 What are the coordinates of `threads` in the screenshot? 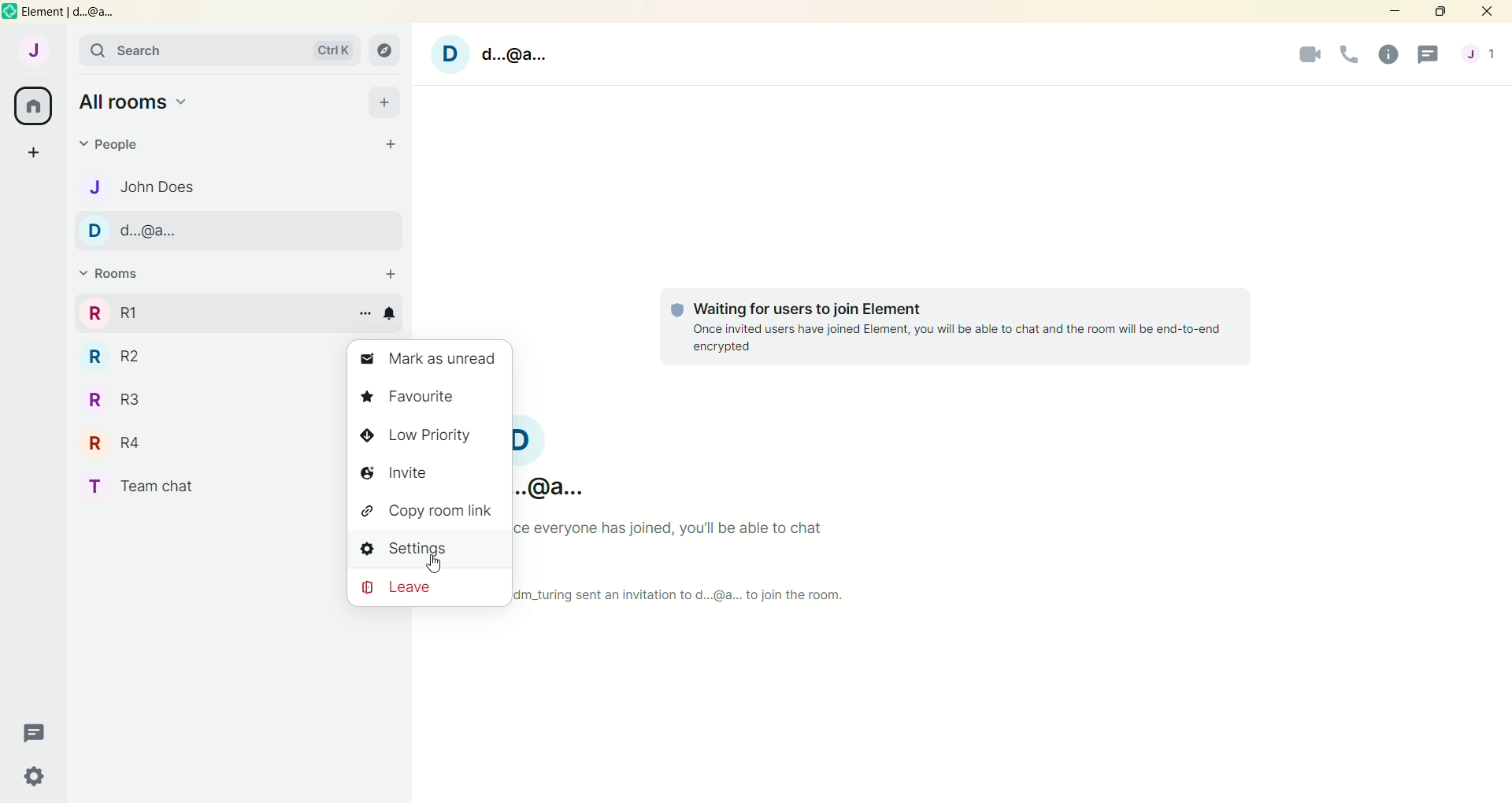 It's located at (29, 731).